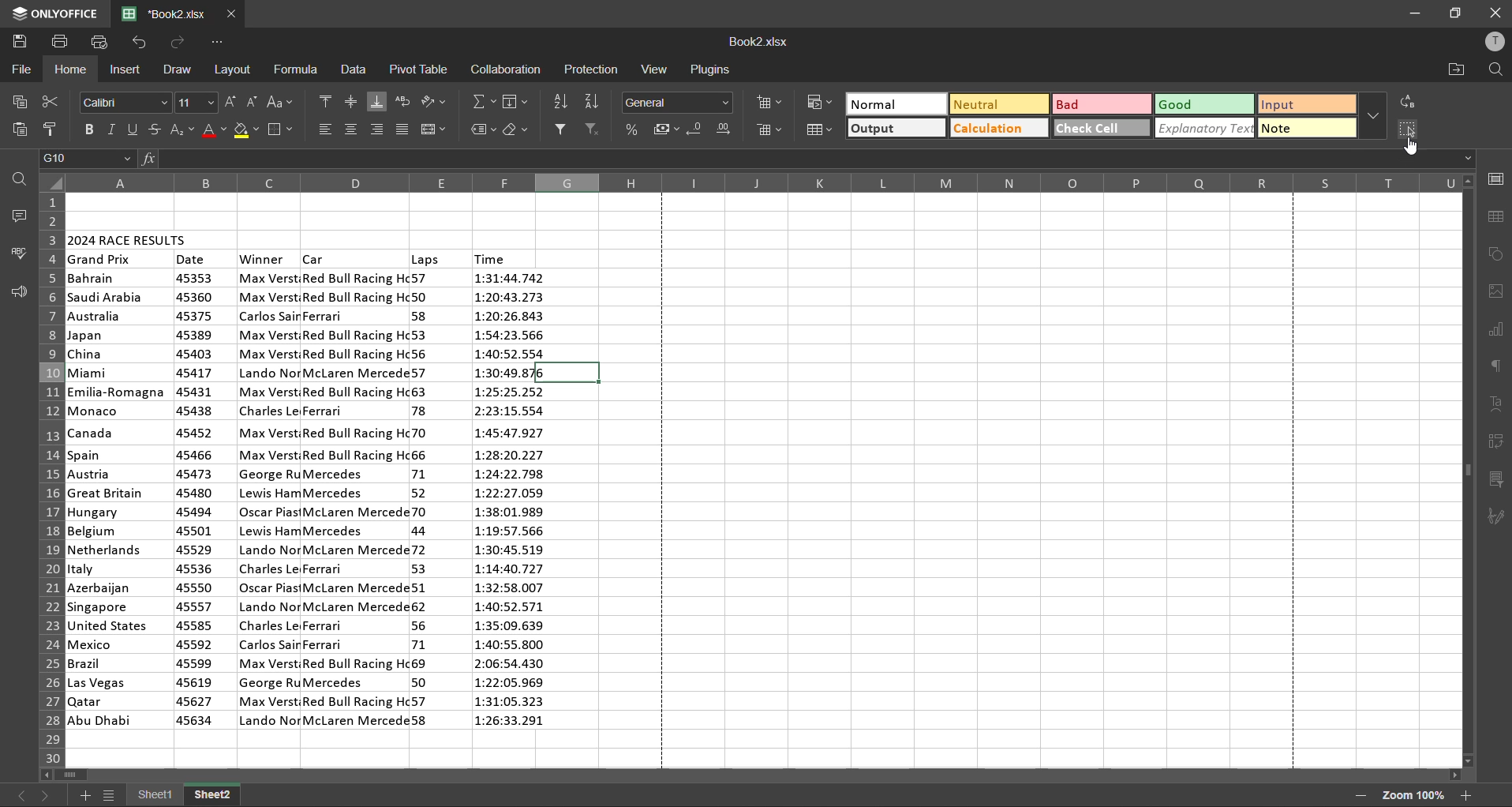 This screenshot has height=807, width=1512. Describe the element at coordinates (71, 70) in the screenshot. I see `home` at that location.